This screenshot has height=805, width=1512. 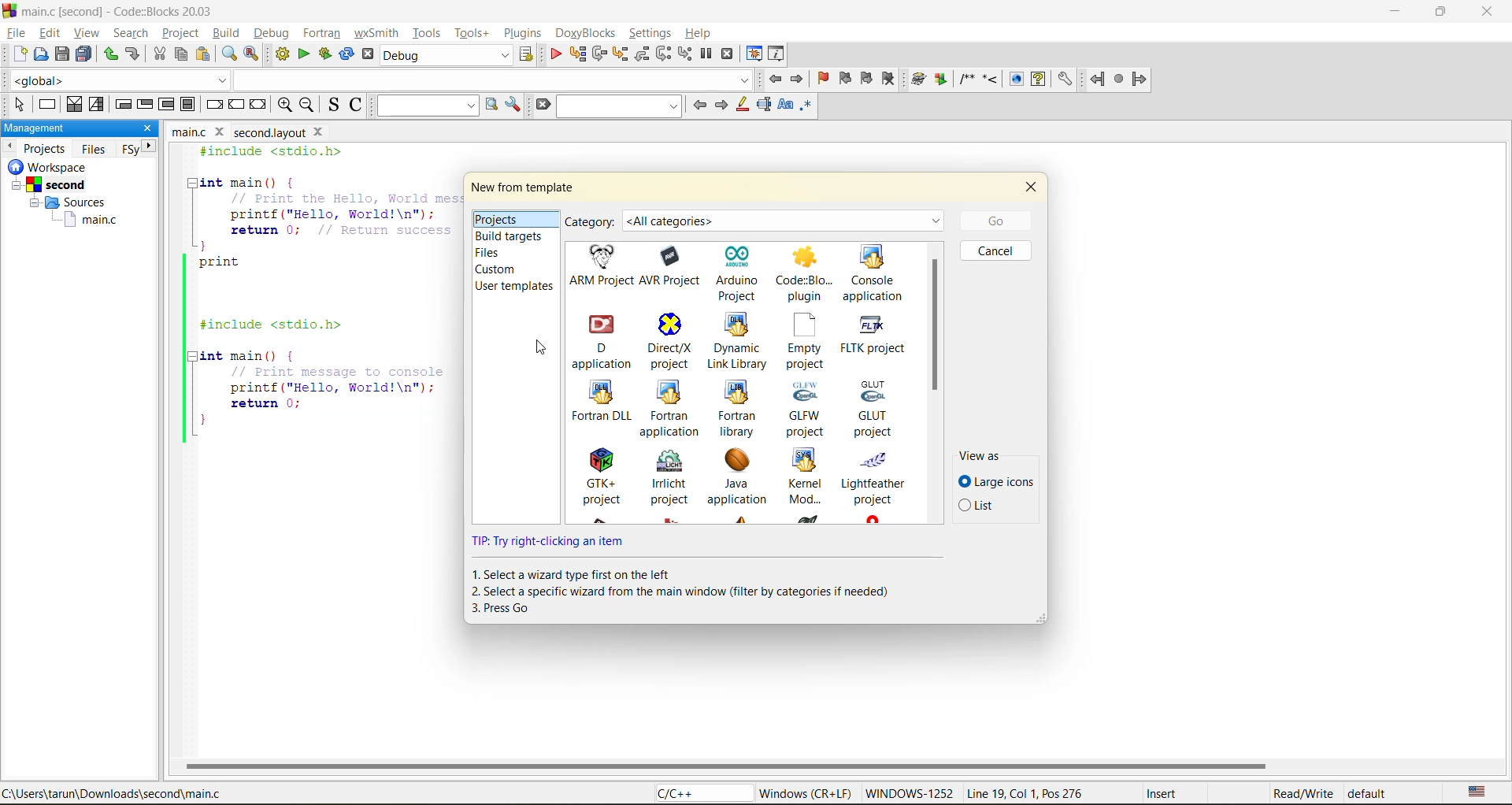 What do you see at coordinates (868, 78) in the screenshot?
I see `next bookmark` at bounding box center [868, 78].